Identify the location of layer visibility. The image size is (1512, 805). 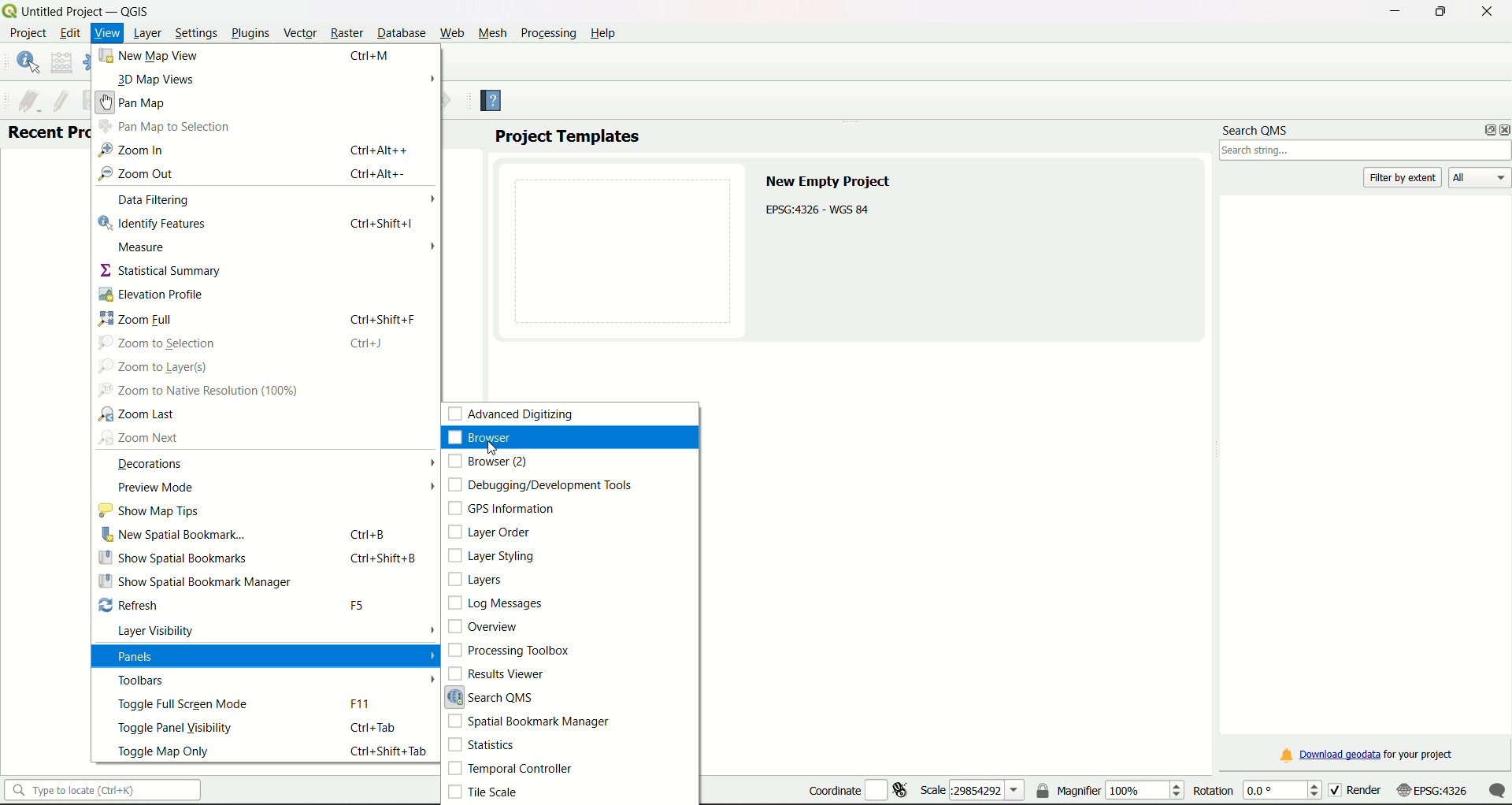
(161, 632).